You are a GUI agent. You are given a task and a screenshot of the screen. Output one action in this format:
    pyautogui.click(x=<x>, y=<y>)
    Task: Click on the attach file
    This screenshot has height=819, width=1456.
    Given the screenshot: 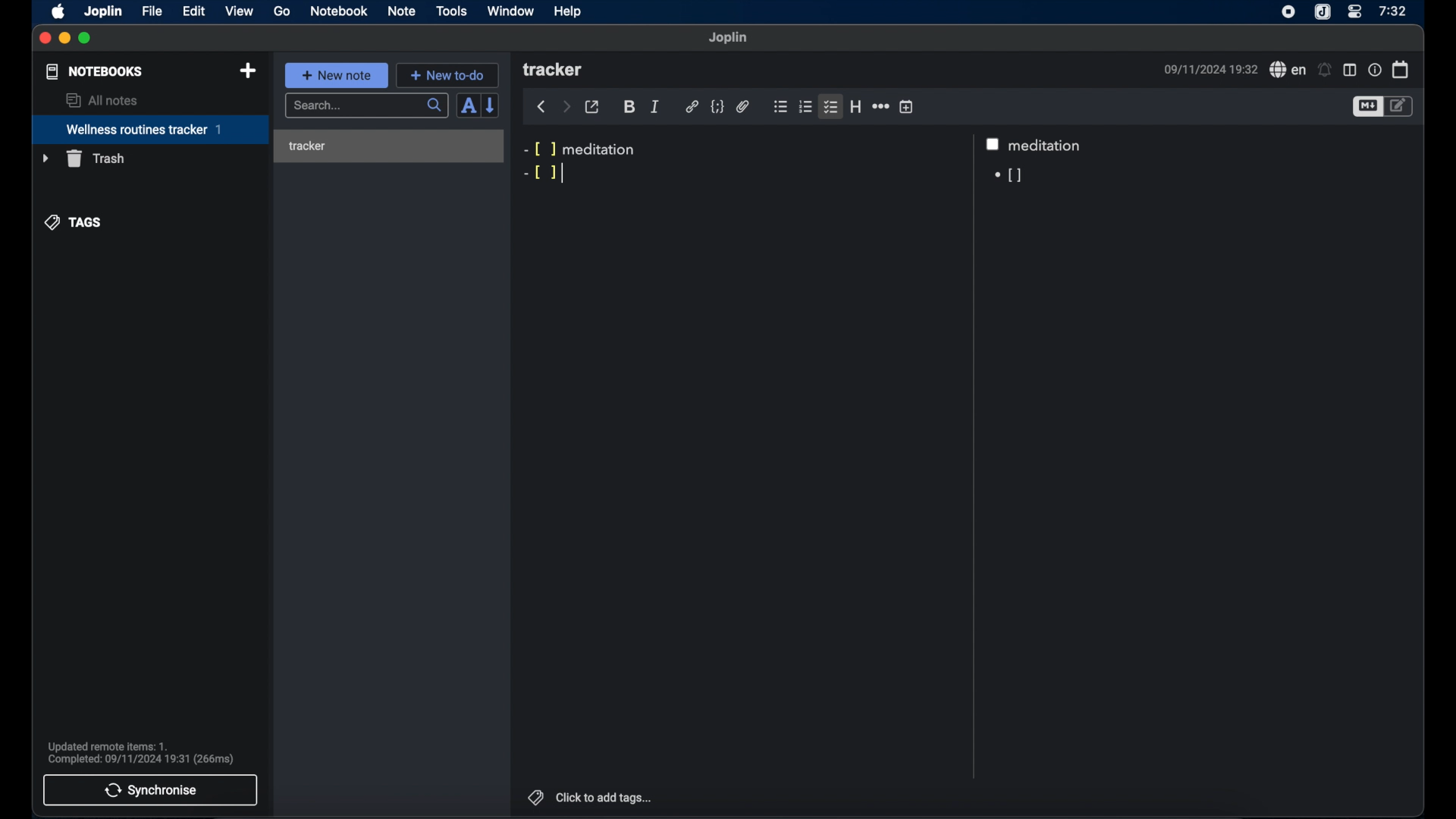 What is the action you would take?
    pyautogui.click(x=743, y=108)
    